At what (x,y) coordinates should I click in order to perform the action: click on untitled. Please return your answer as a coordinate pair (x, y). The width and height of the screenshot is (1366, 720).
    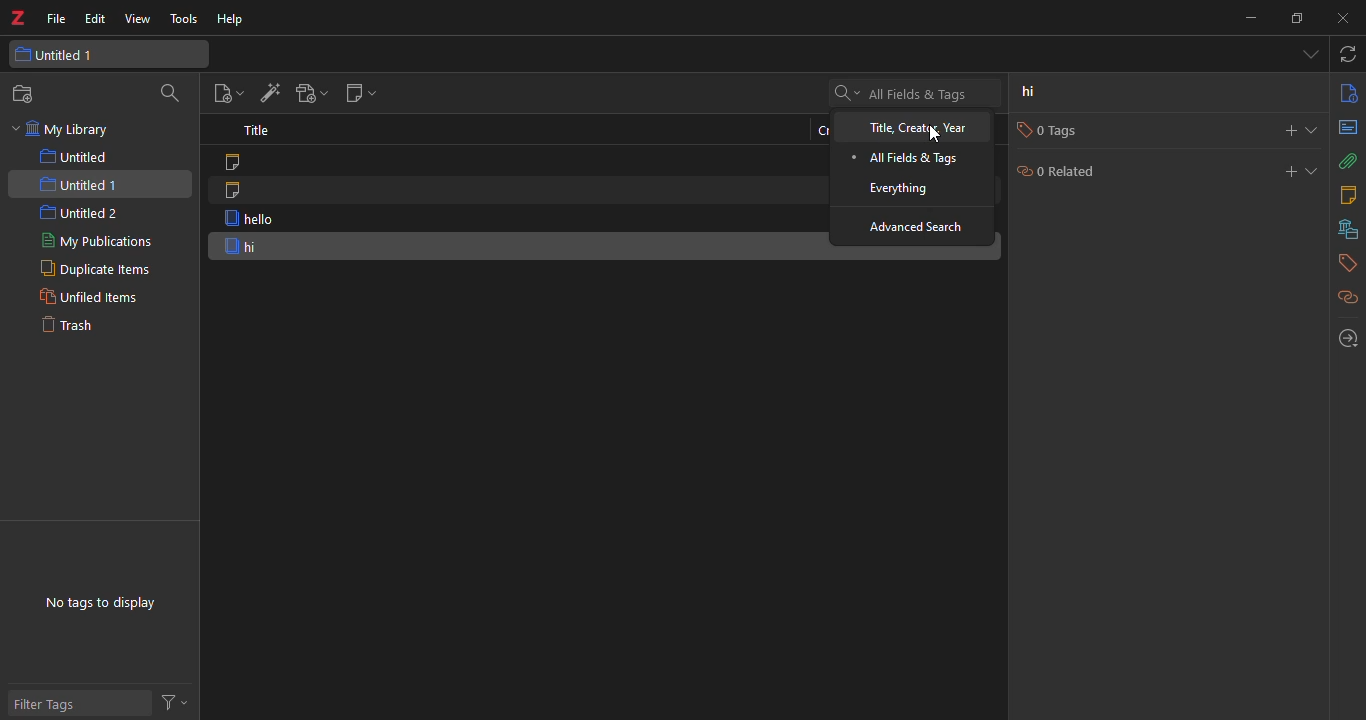
    Looking at the image, I should click on (74, 155).